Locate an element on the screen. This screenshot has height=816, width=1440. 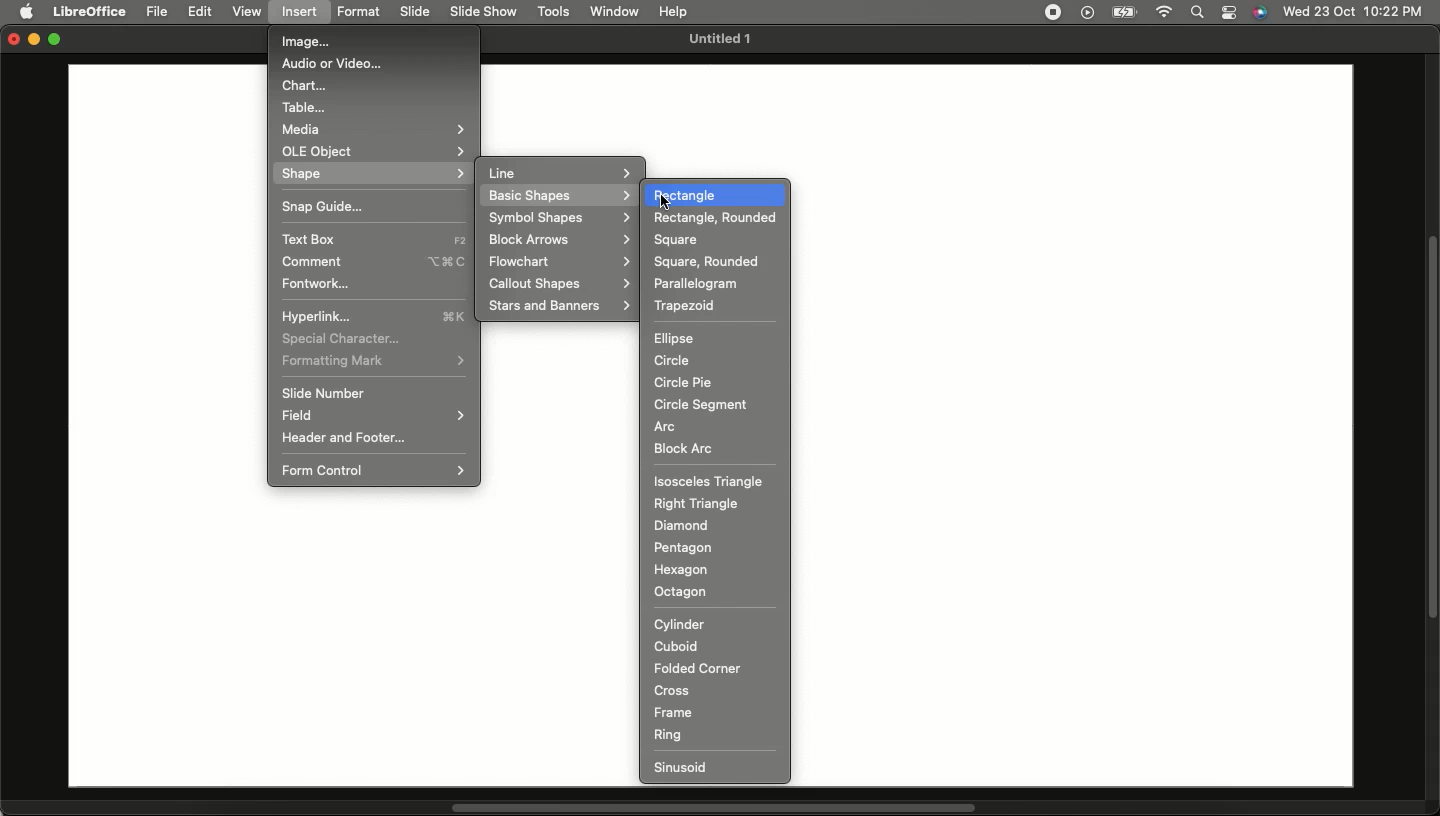
Format is located at coordinates (363, 13).